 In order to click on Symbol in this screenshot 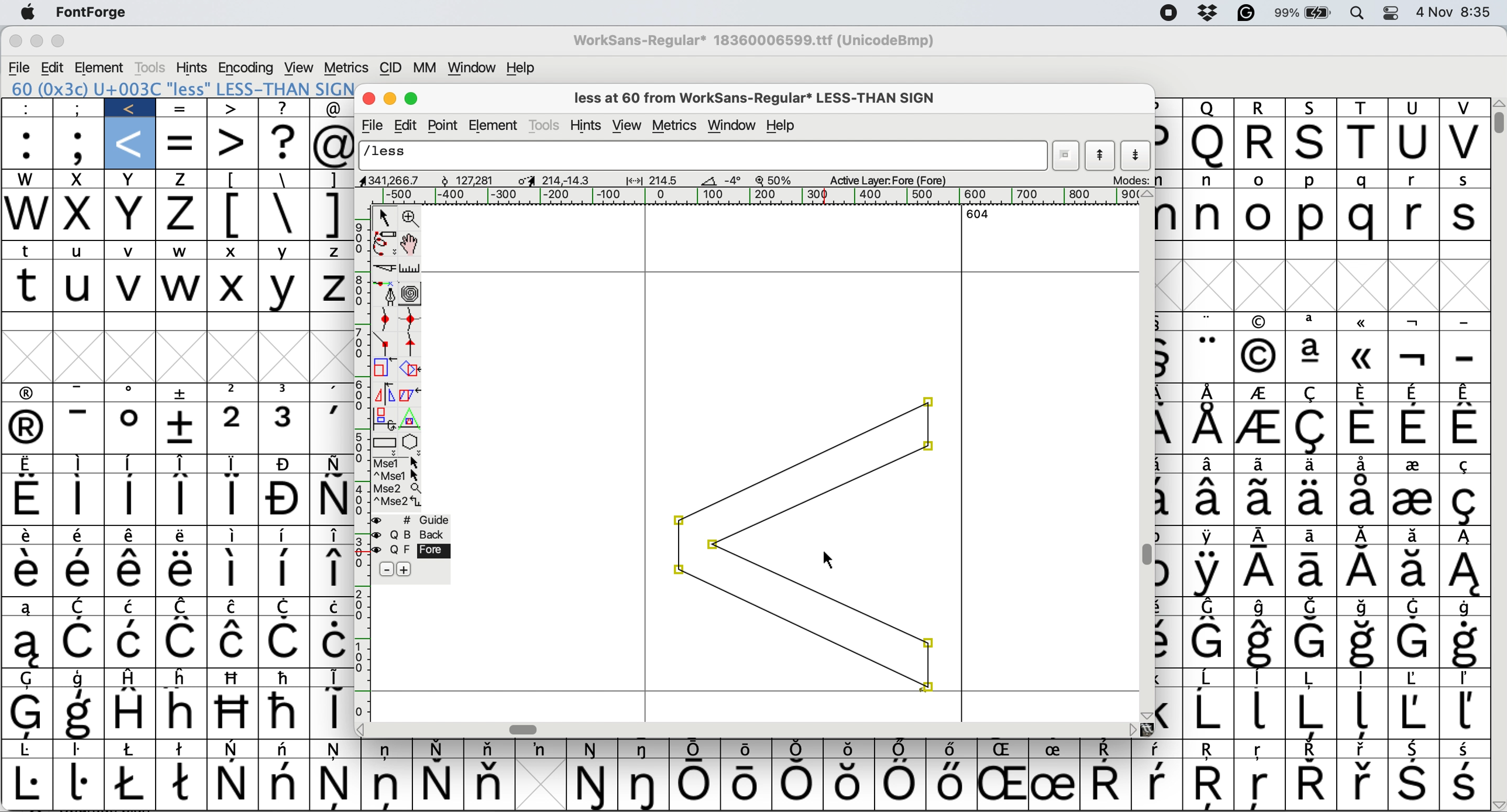, I will do `click(237, 608)`.